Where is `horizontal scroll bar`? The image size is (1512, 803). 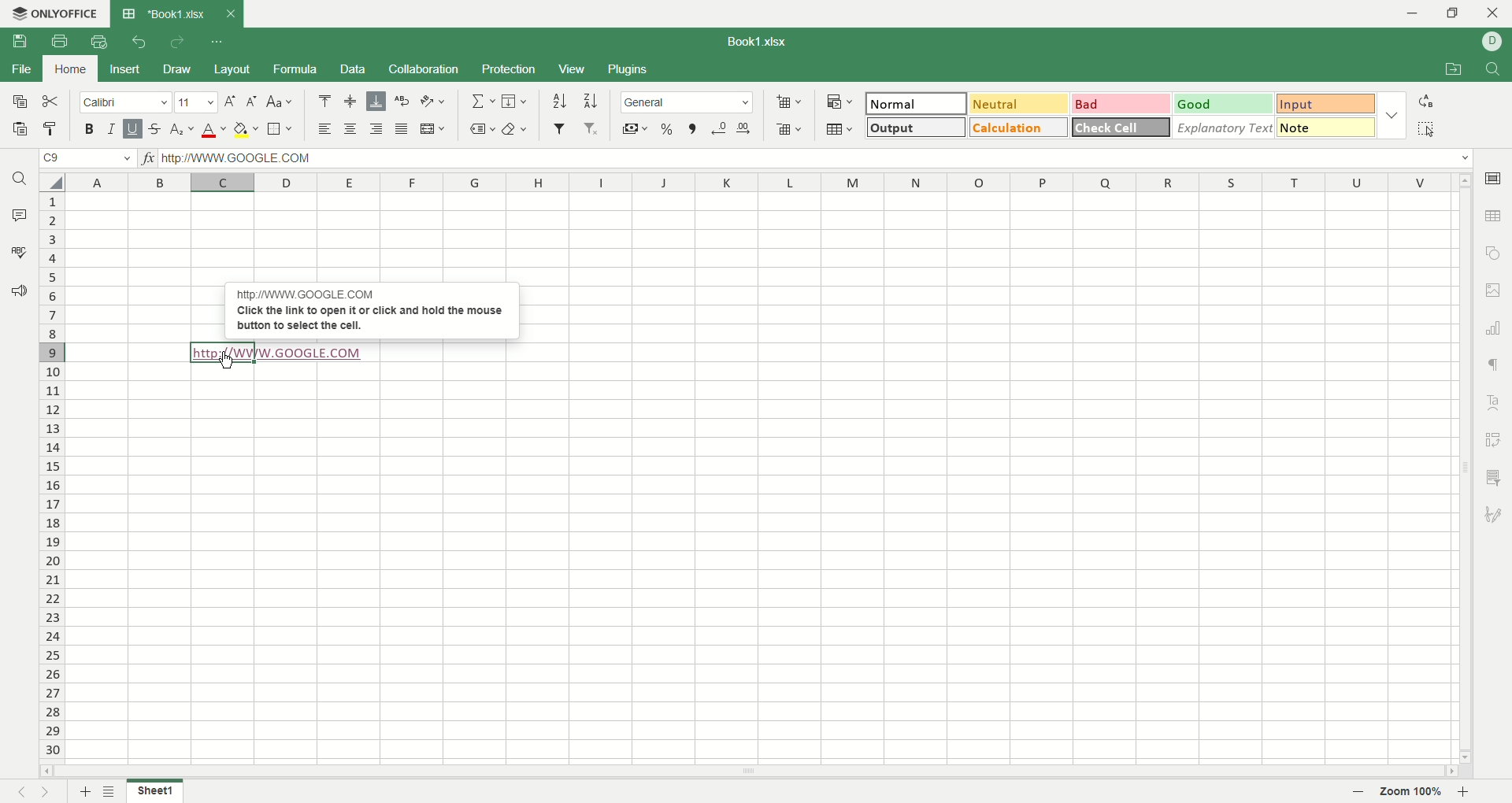 horizontal scroll bar is located at coordinates (749, 772).